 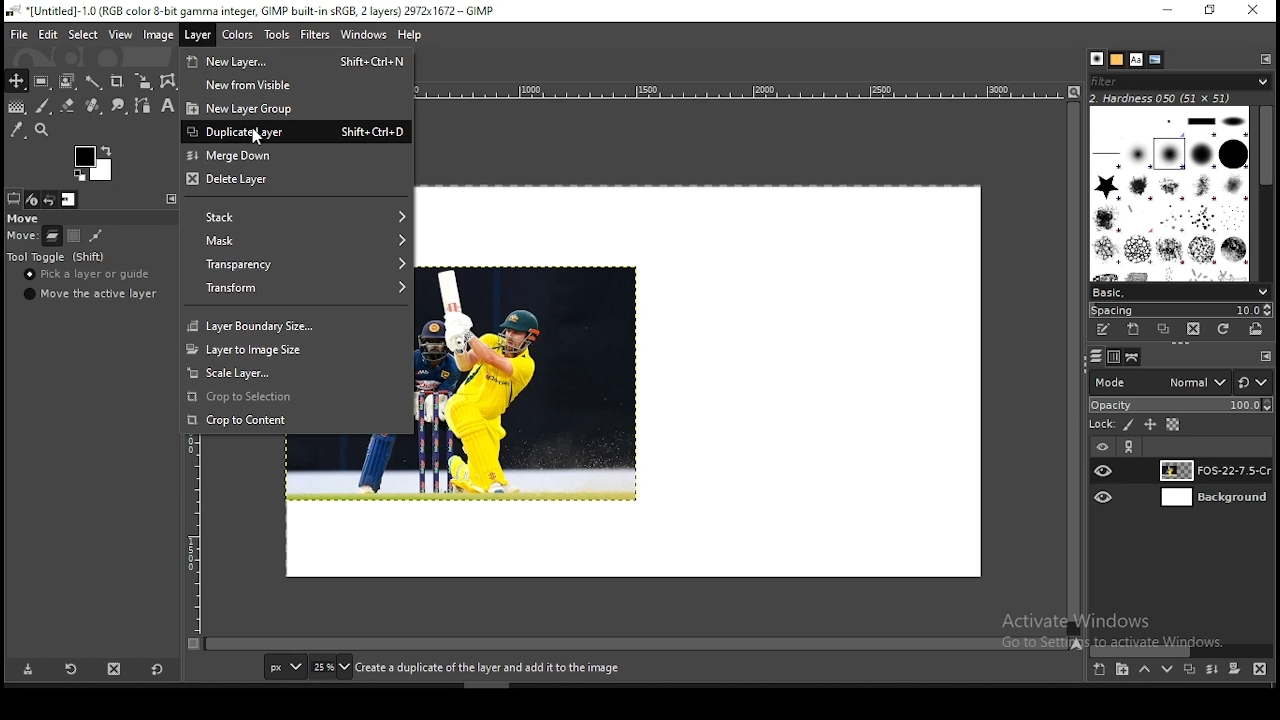 What do you see at coordinates (299, 84) in the screenshot?
I see `new from visible` at bounding box center [299, 84].